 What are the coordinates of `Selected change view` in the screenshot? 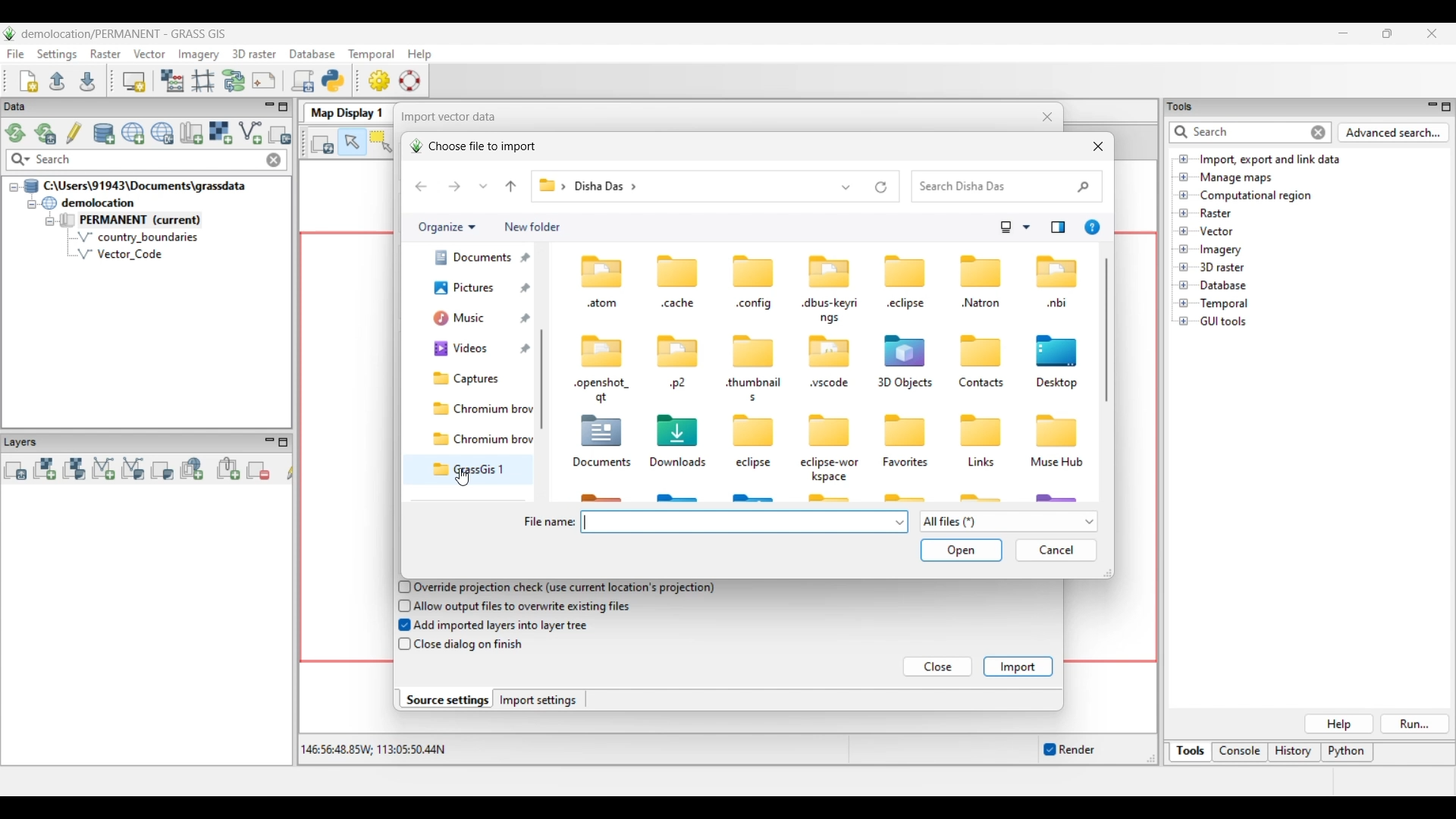 It's located at (1006, 227).